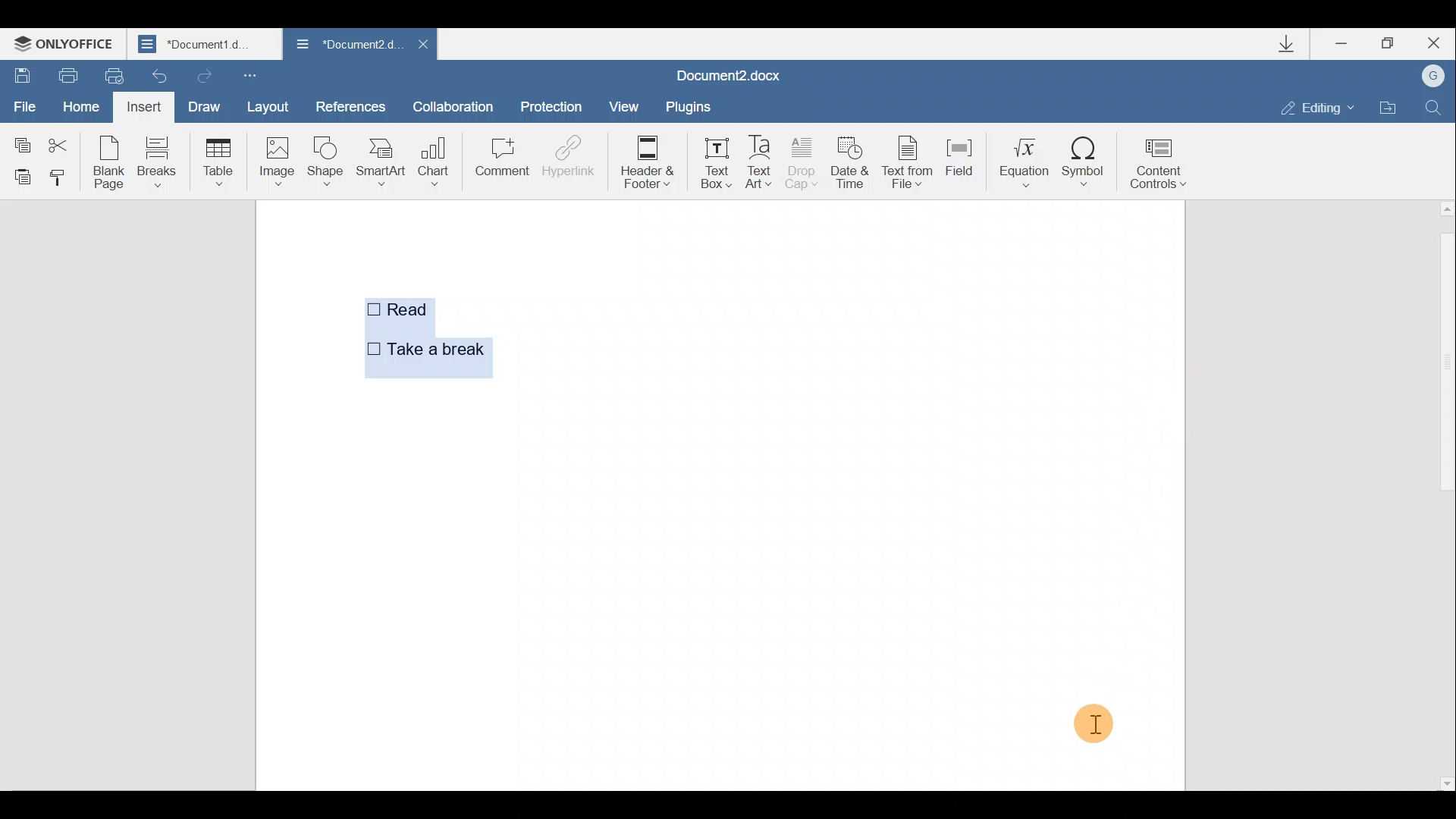 The width and height of the screenshot is (1456, 819). I want to click on Layout, so click(276, 109).